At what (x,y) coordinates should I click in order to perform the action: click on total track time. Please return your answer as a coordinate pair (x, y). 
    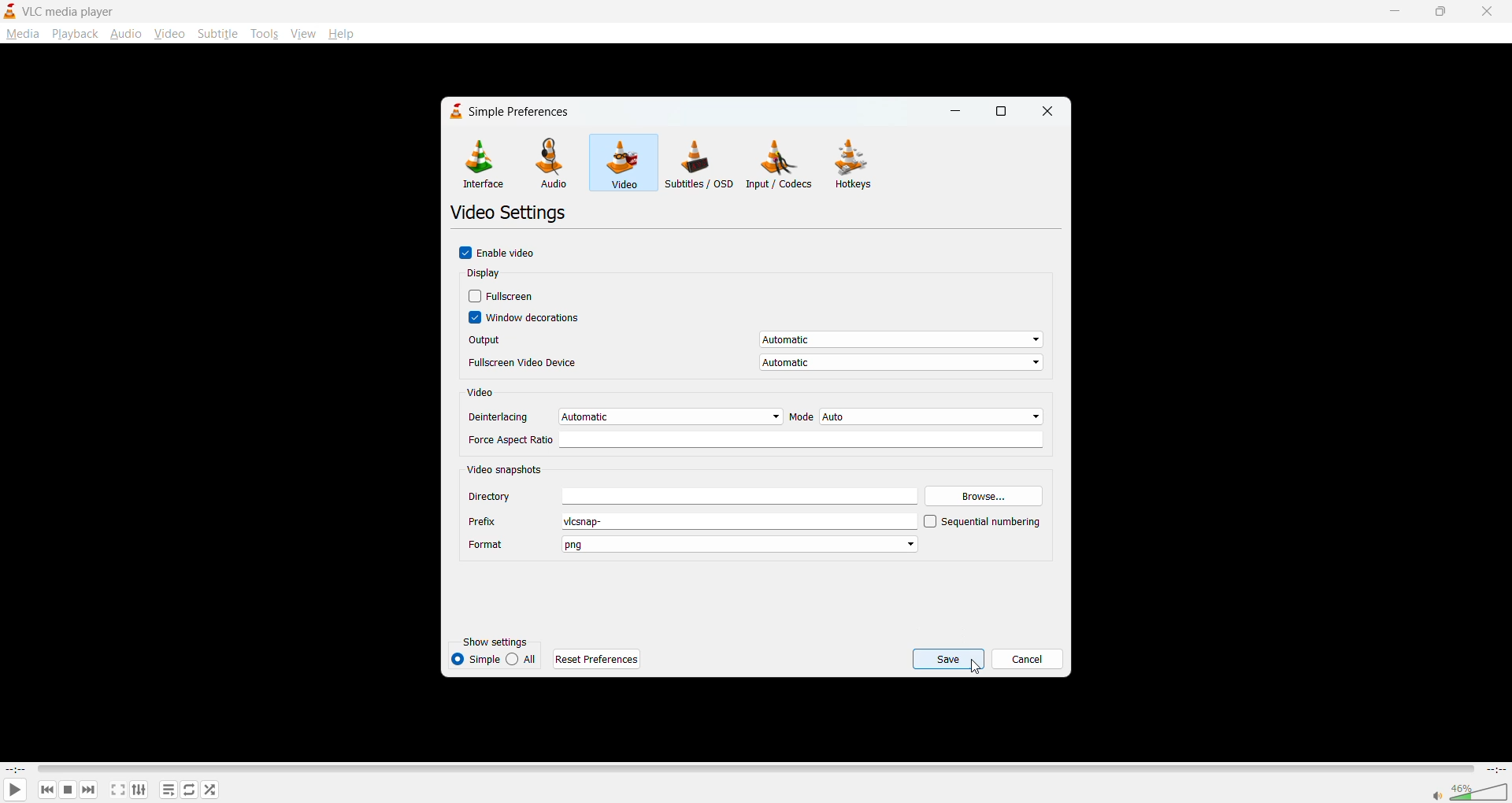
    Looking at the image, I should click on (1495, 769).